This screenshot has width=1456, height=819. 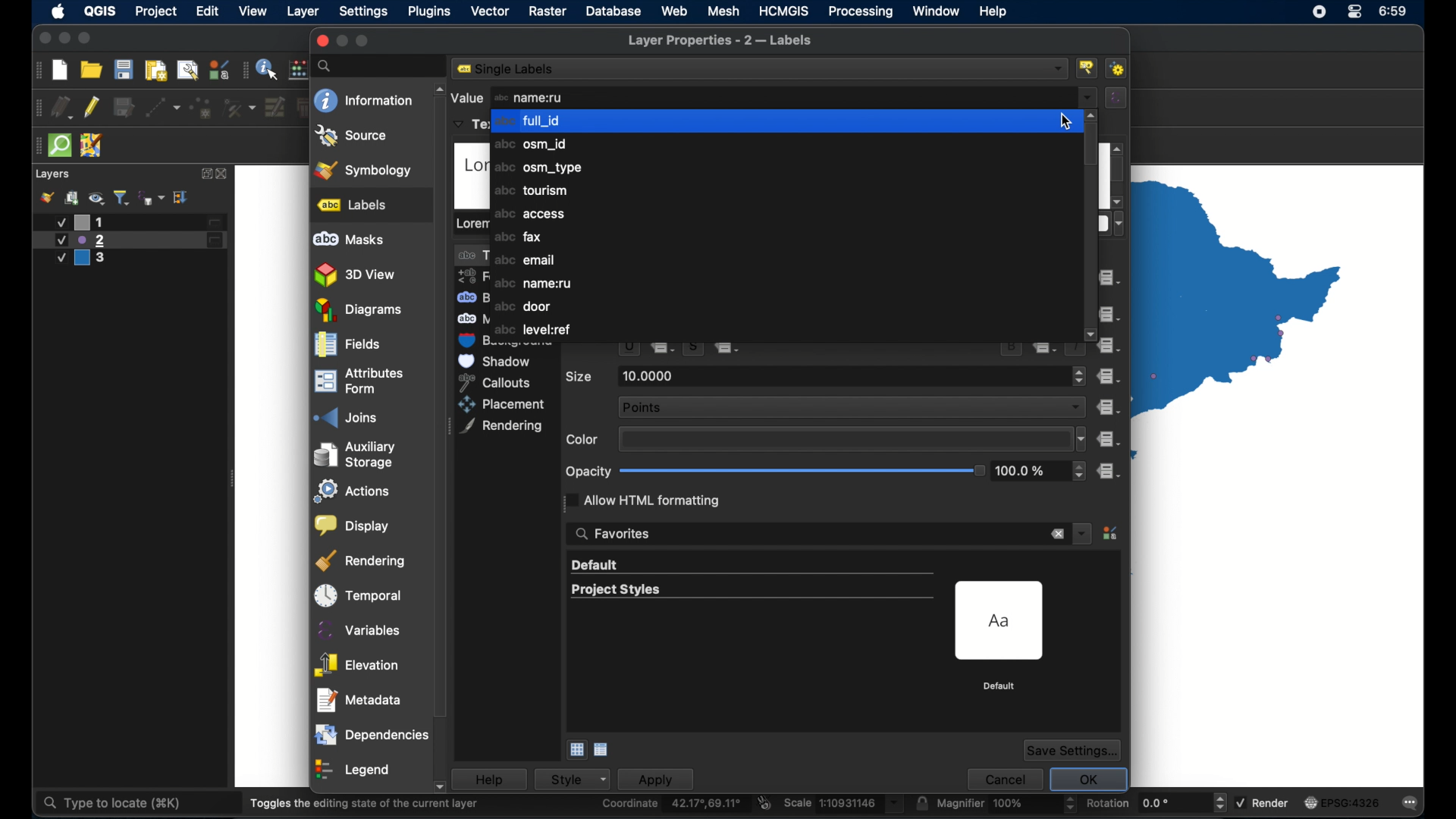 I want to click on toggles the  dining state of the current layer, so click(x=365, y=803).